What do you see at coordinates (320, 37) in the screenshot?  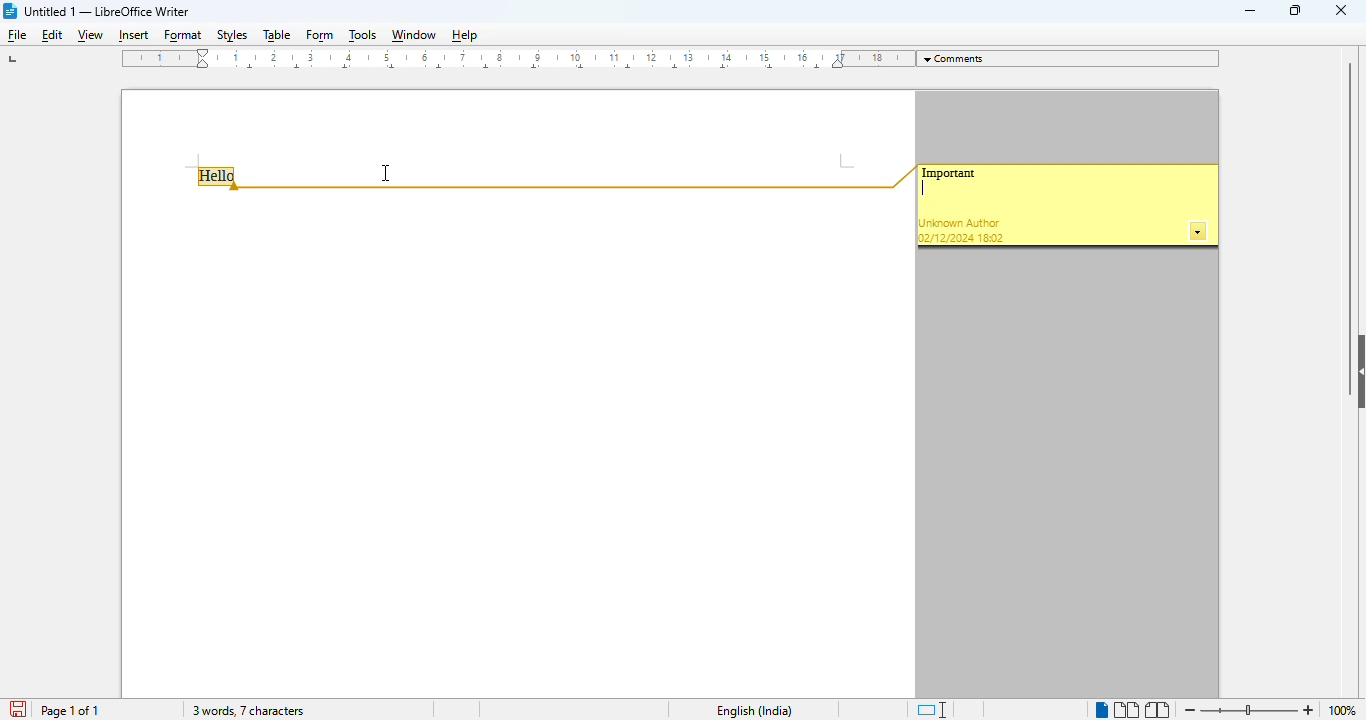 I see `form` at bounding box center [320, 37].